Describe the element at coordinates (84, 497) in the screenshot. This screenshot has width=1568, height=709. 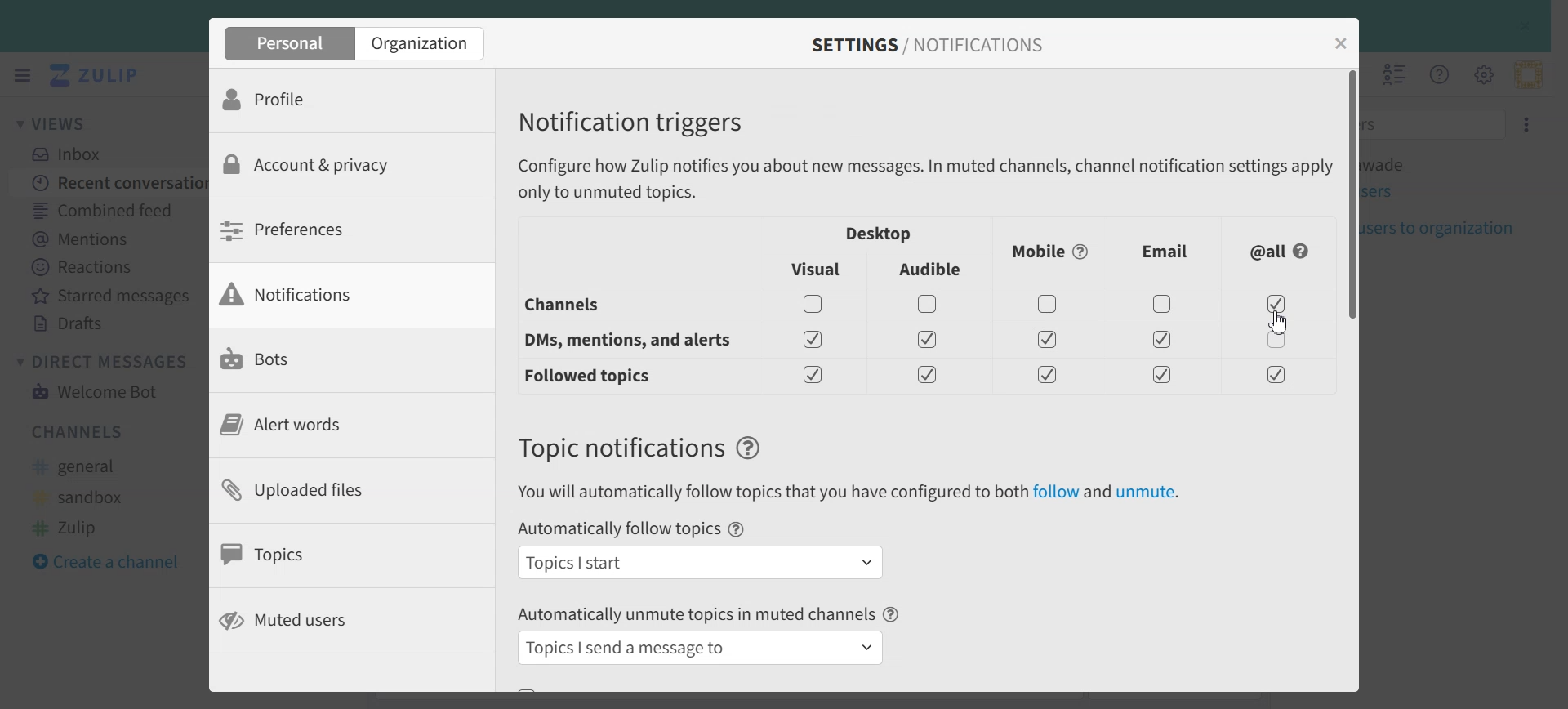
I see `#sandbox` at that location.